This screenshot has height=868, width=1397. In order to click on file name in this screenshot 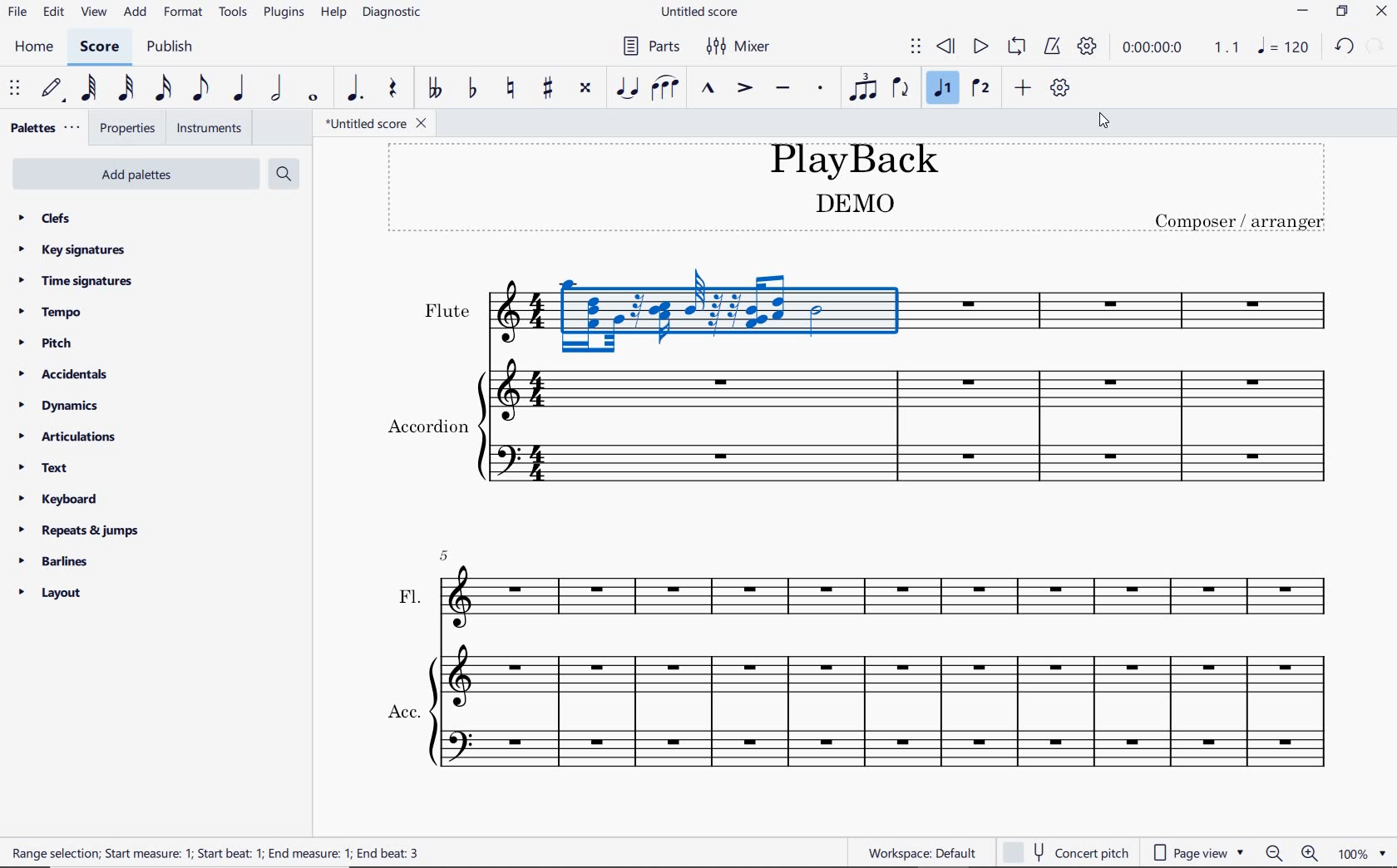, I will do `click(376, 123)`.